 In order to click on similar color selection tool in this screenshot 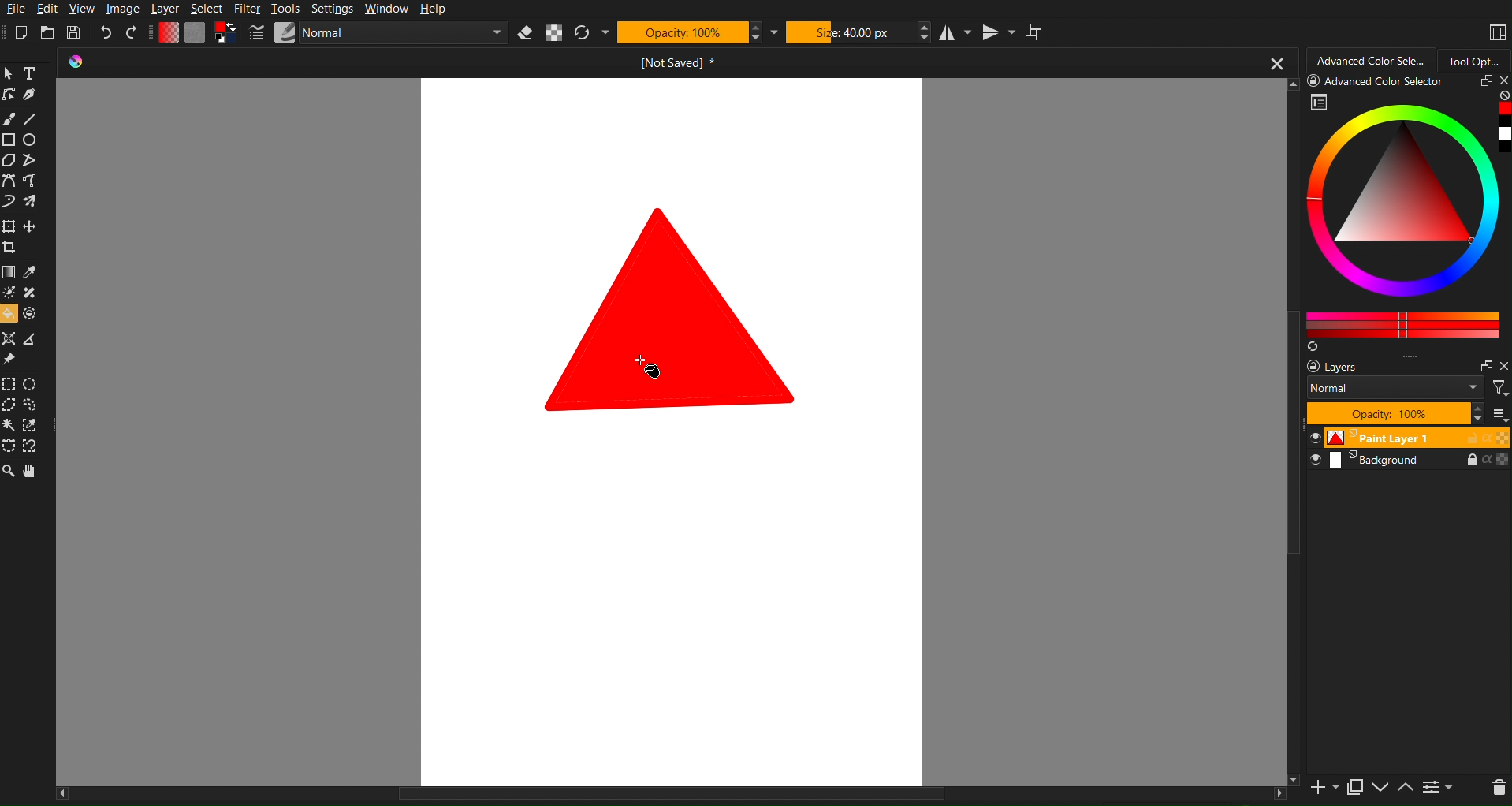, I will do `click(32, 426)`.